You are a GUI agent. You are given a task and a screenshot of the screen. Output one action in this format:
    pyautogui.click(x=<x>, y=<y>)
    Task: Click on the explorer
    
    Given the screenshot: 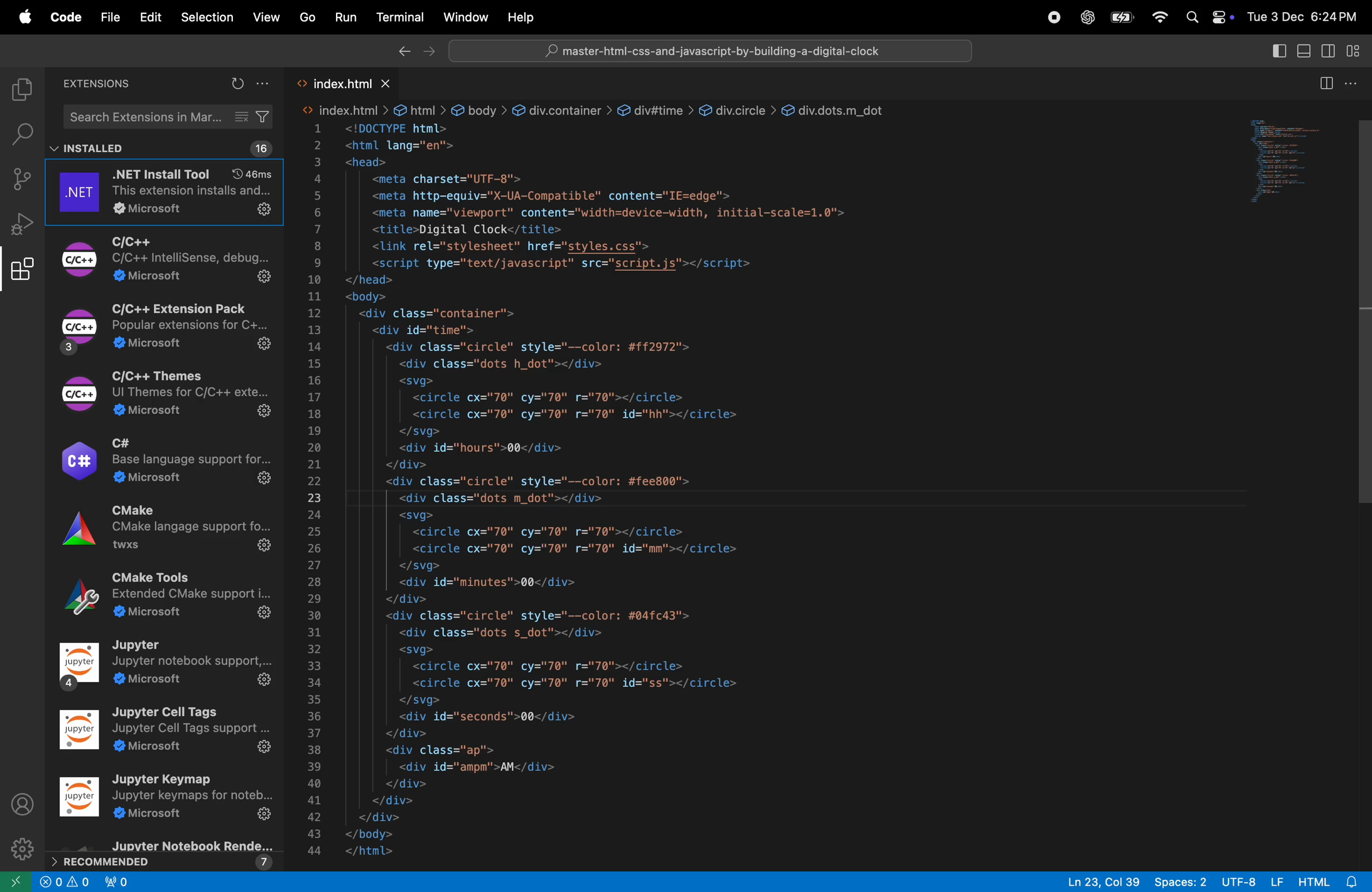 What is the action you would take?
    pyautogui.click(x=22, y=84)
    